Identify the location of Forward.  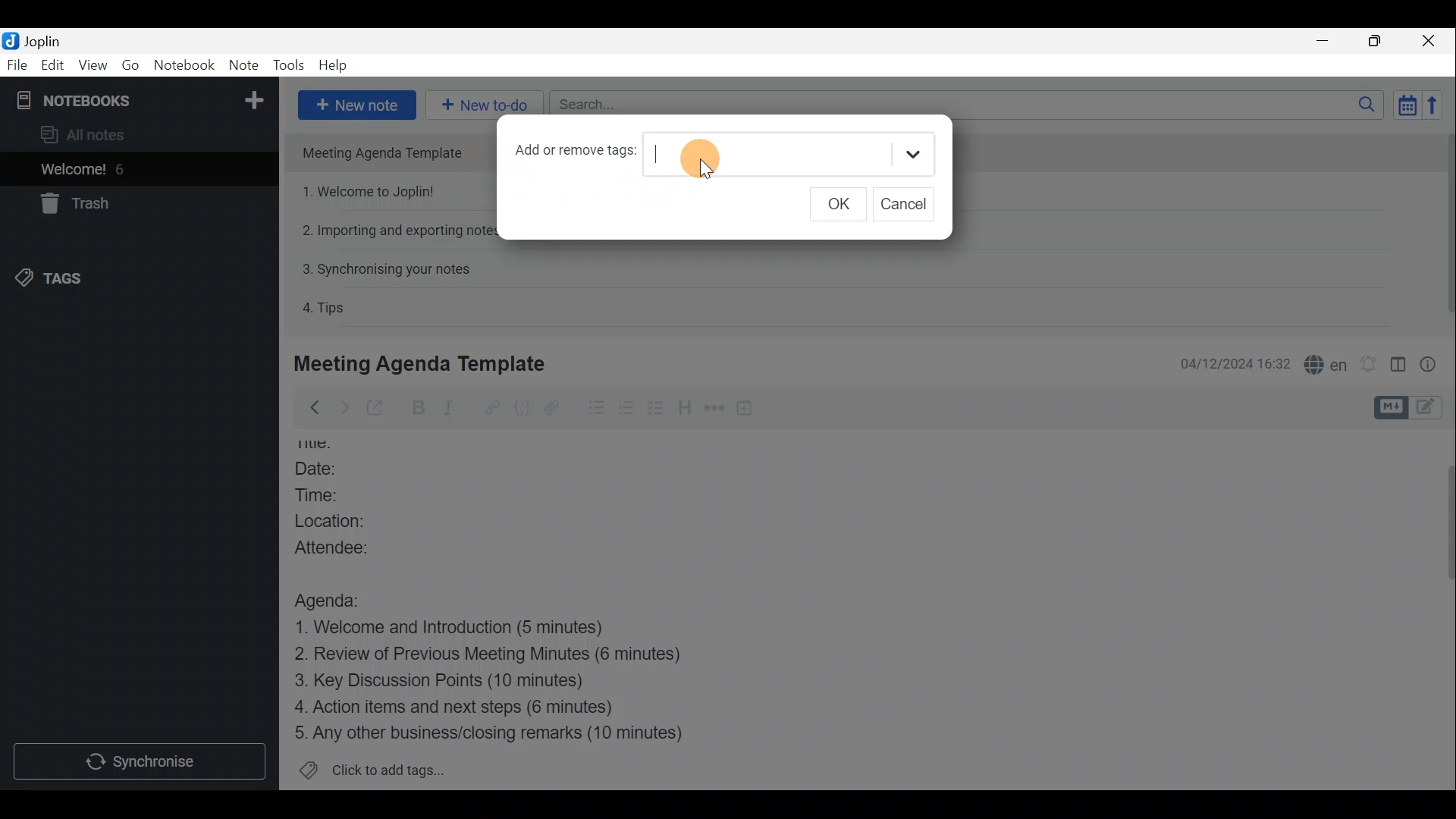
(342, 407).